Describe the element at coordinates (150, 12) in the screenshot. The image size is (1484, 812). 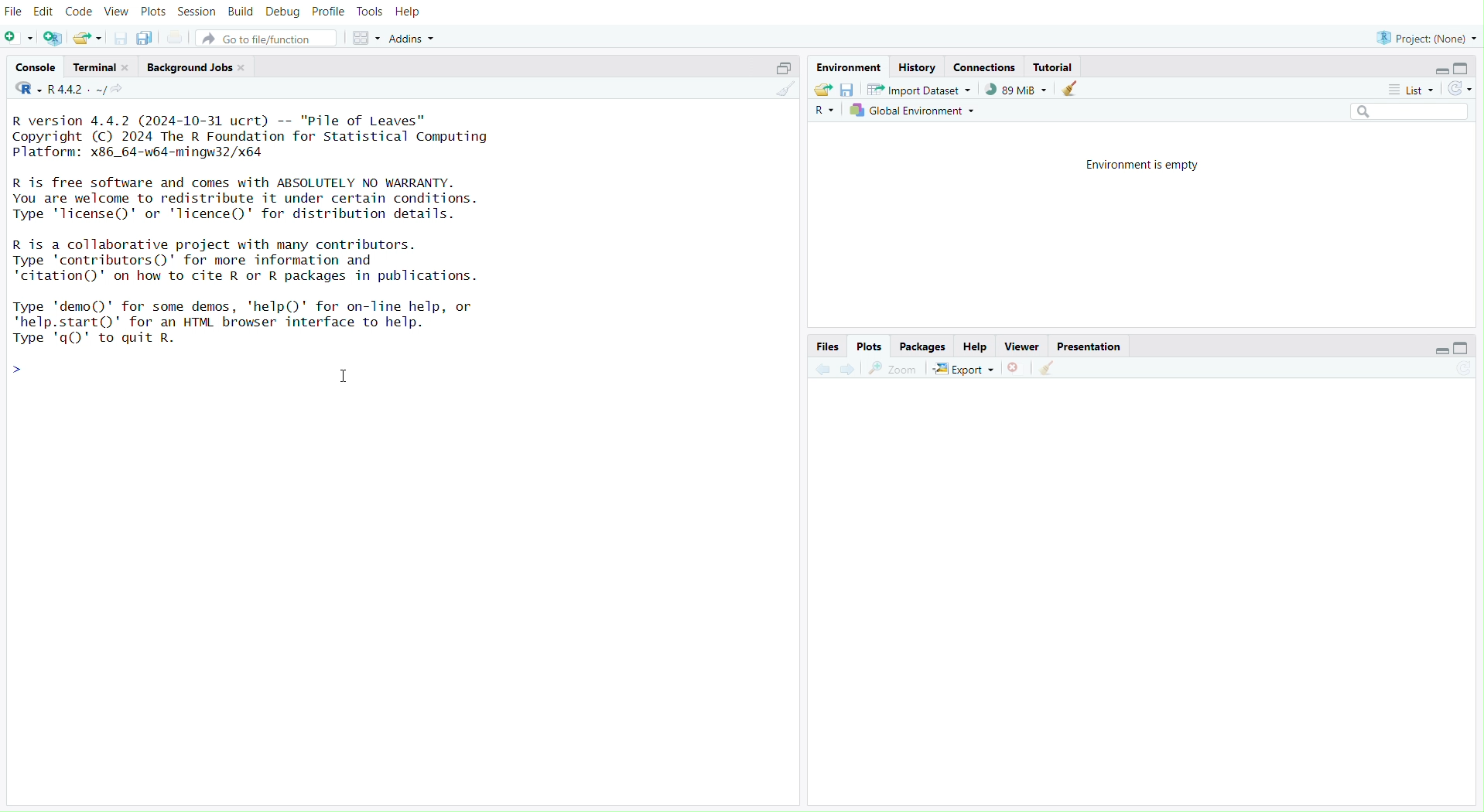
I see `Plots` at that location.